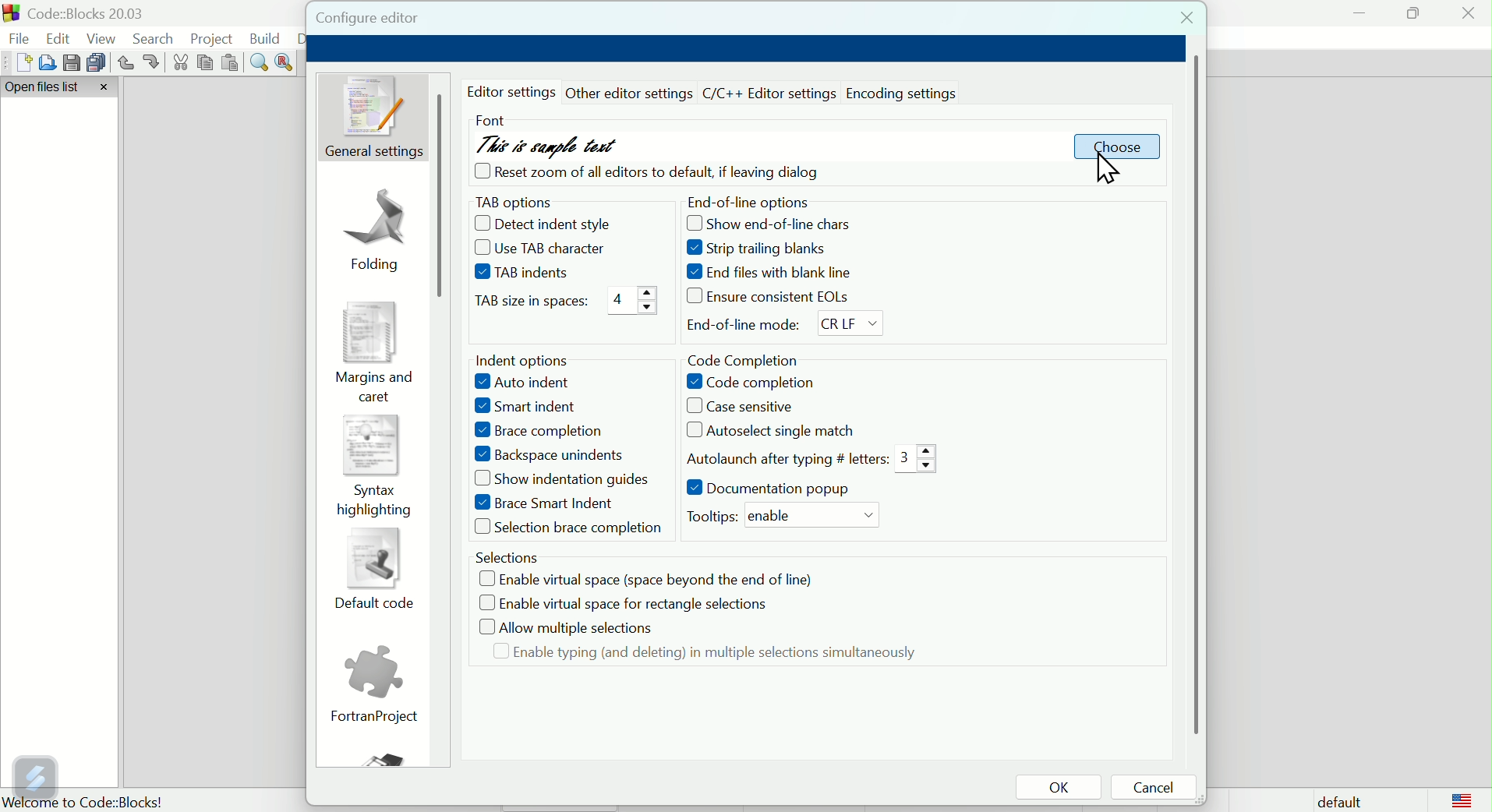 The height and width of the screenshot is (812, 1492). Describe the element at coordinates (373, 116) in the screenshot. I see `General setting` at that location.